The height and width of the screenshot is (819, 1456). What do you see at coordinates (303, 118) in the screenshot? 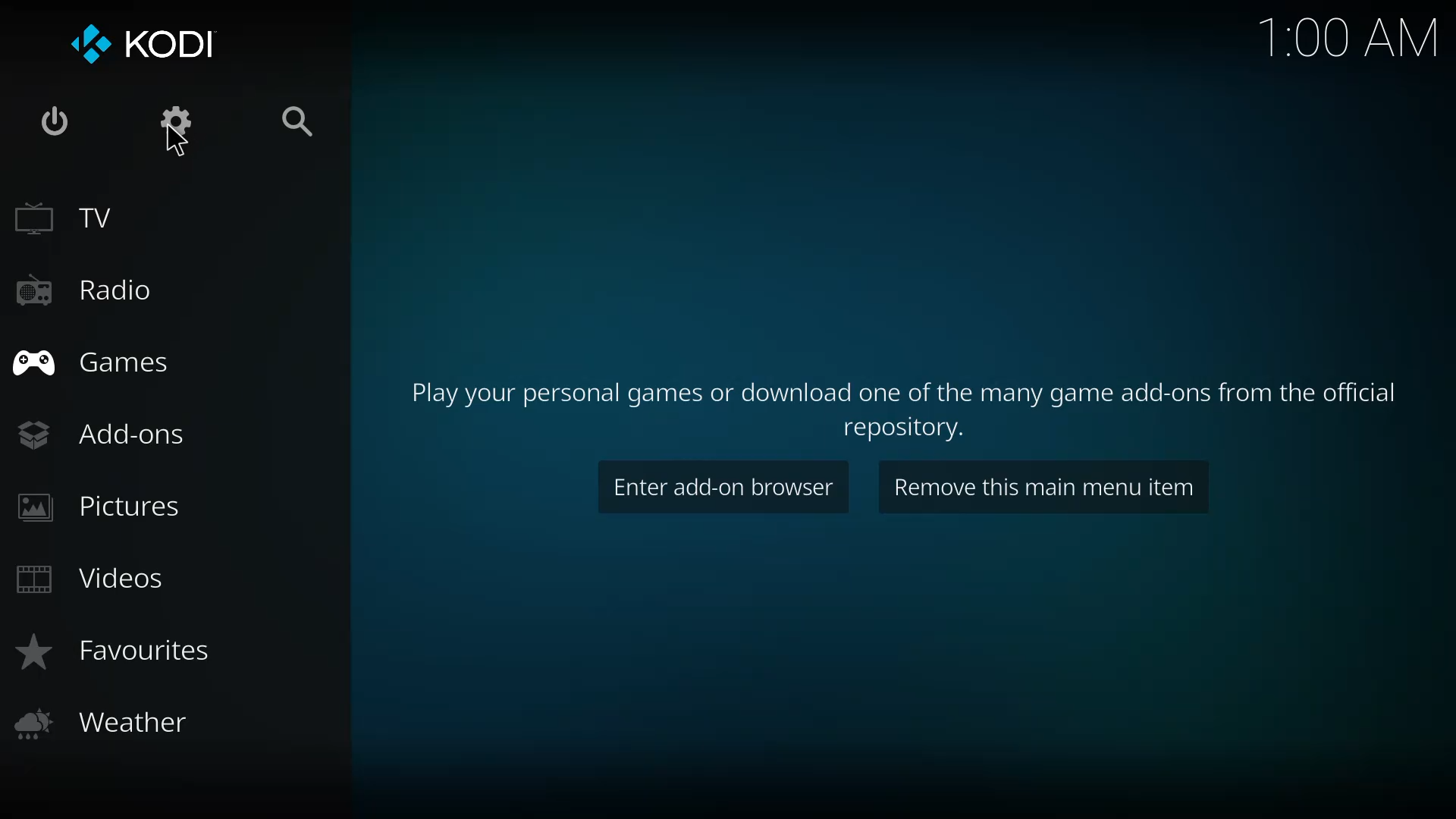
I see `search` at bounding box center [303, 118].